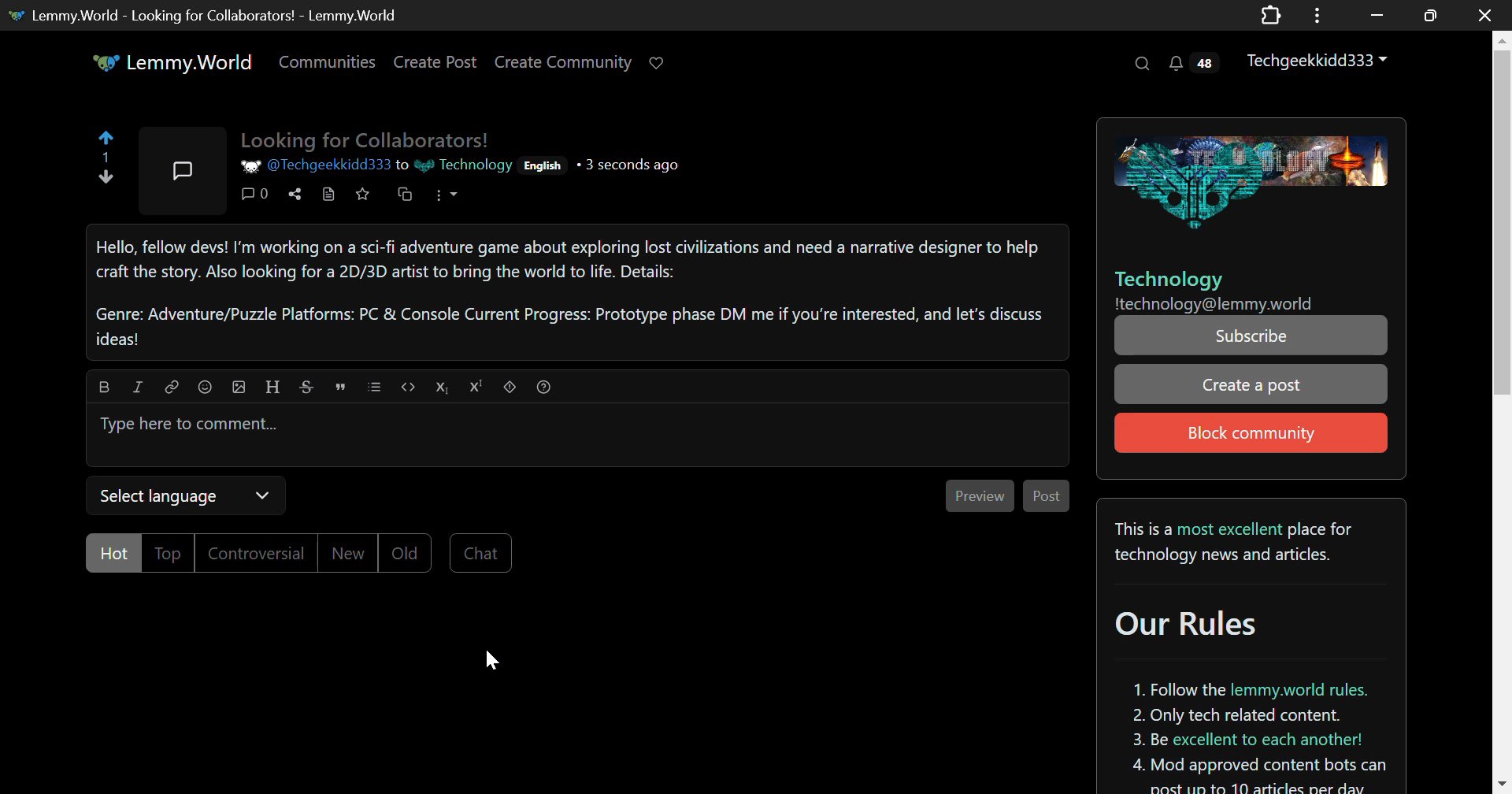  I want to click on Looking for Collaborators!, so click(373, 138).